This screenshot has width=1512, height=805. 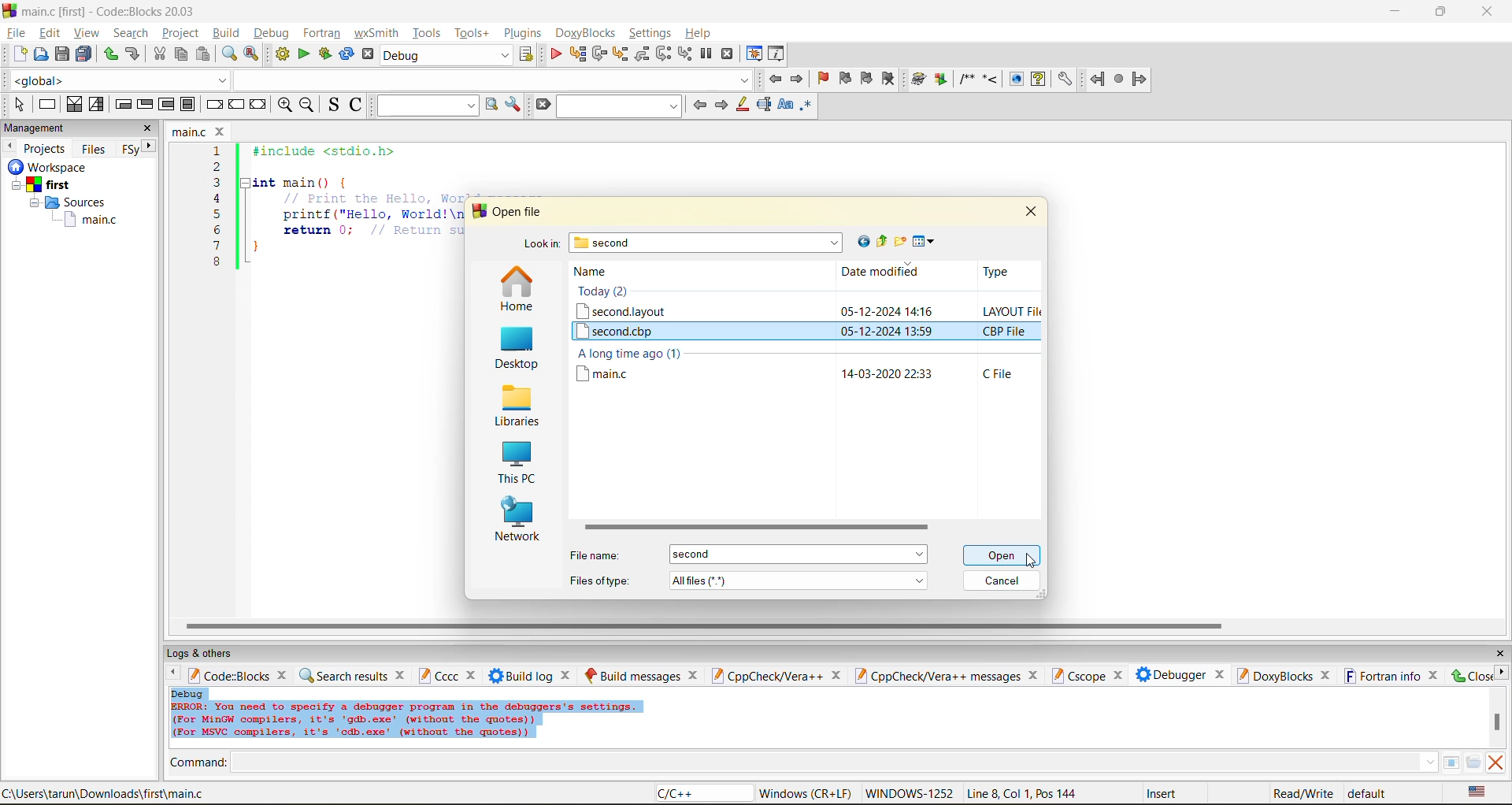 What do you see at coordinates (180, 32) in the screenshot?
I see `project` at bounding box center [180, 32].